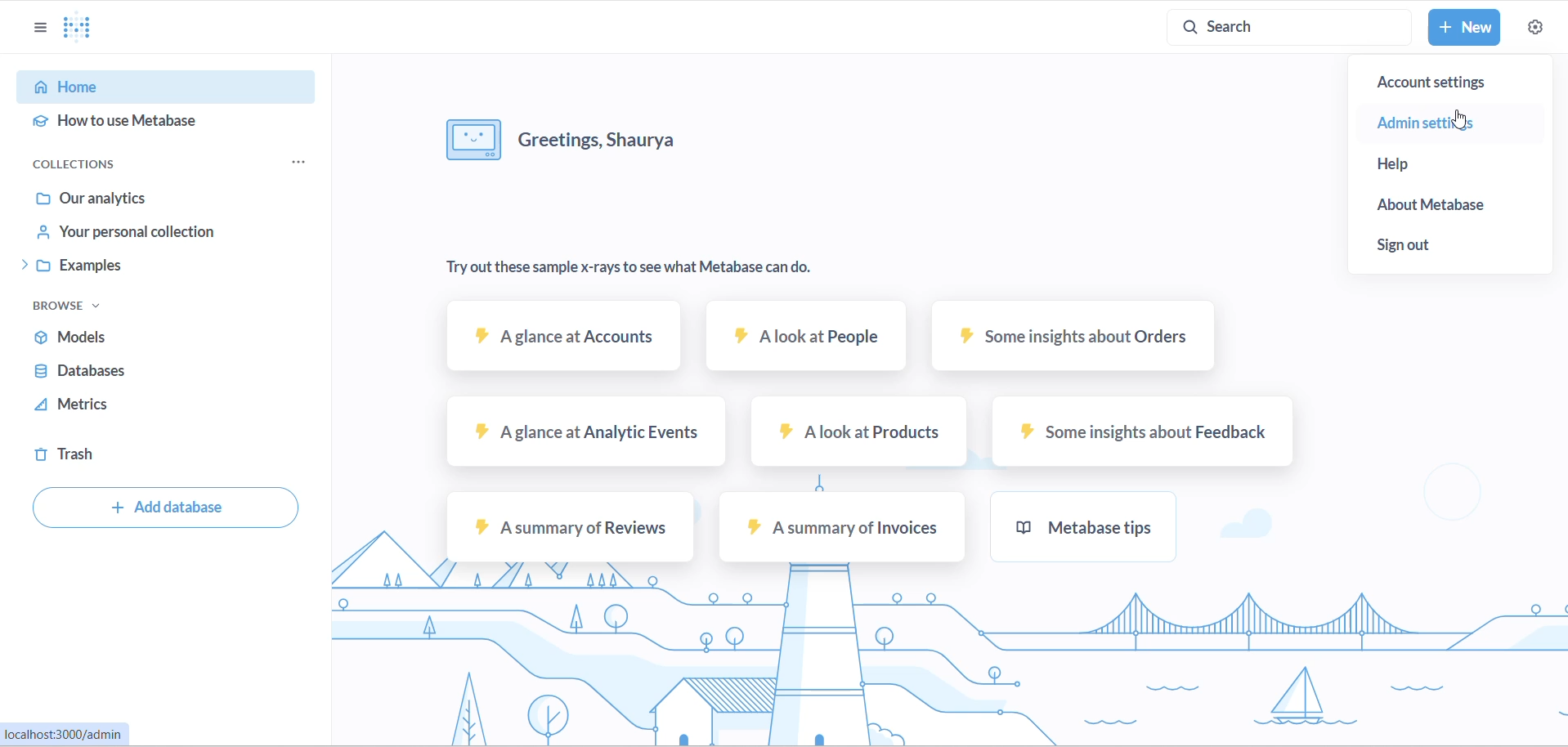 The image size is (1568, 747). What do you see at coordinates (146, 198) in the screenshot?
I see `our analytics` at bounding box center [146, 198].